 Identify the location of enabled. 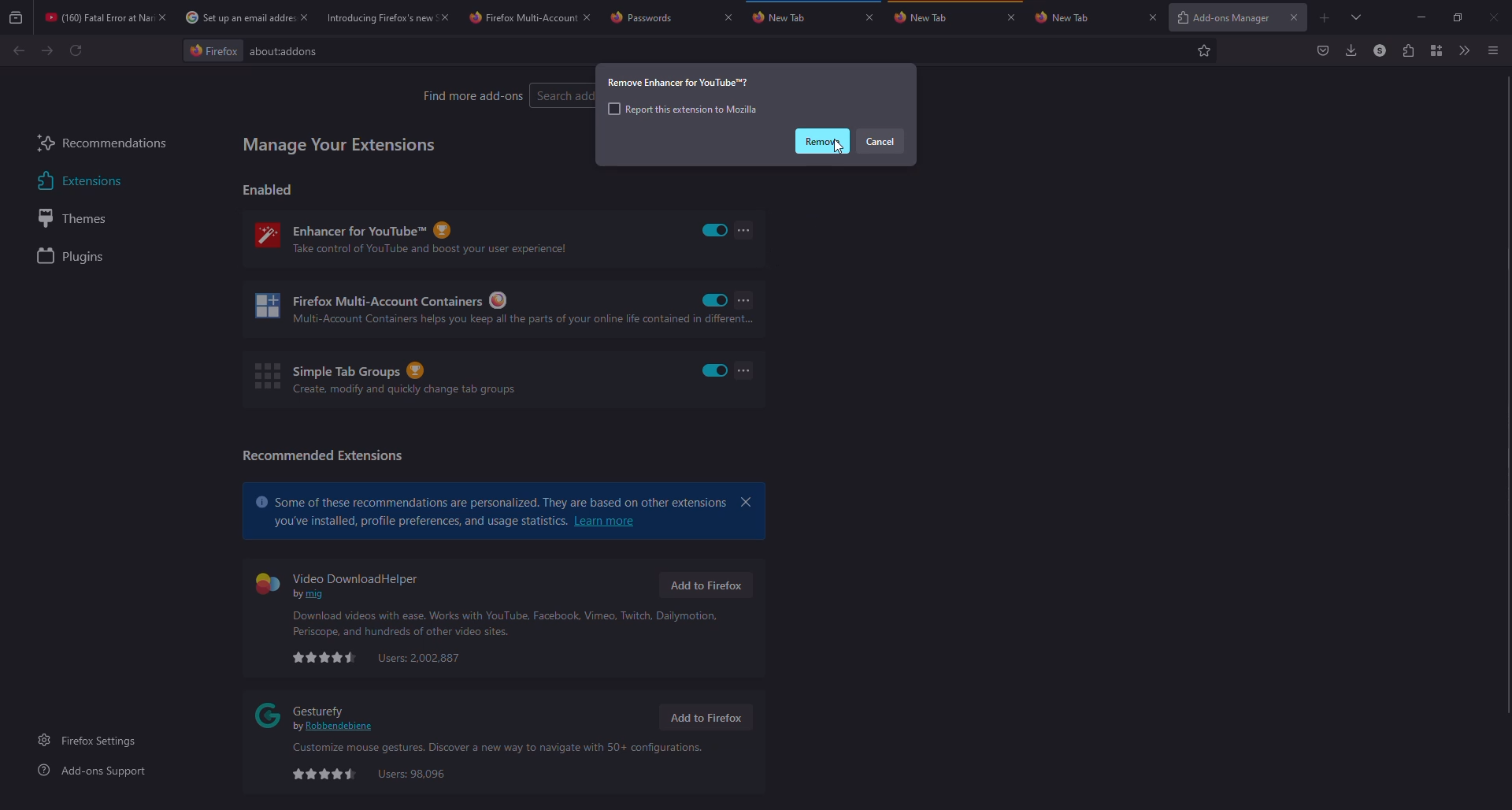
(715, 230).